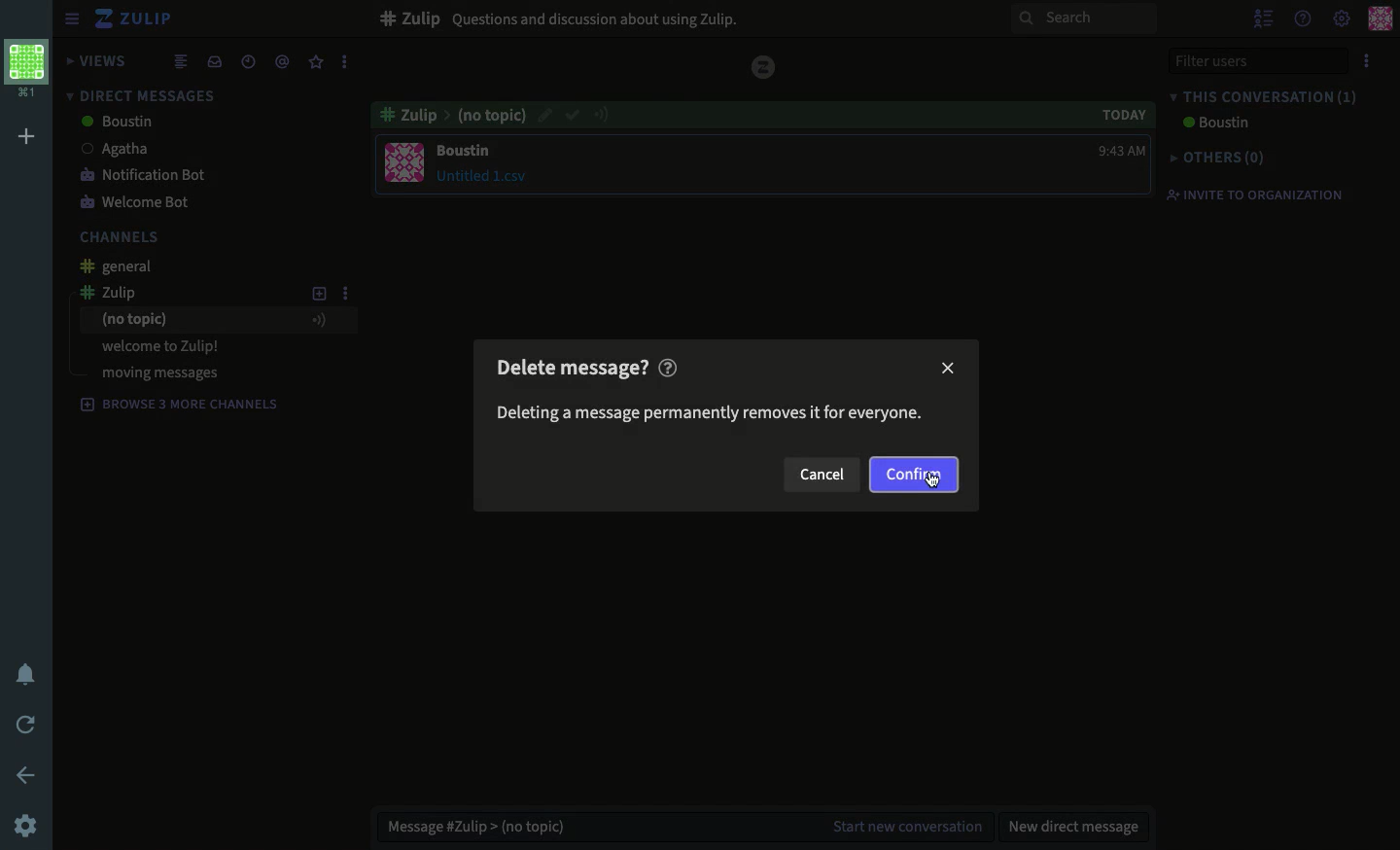  I want to click on notification bot, so click(146, 177).